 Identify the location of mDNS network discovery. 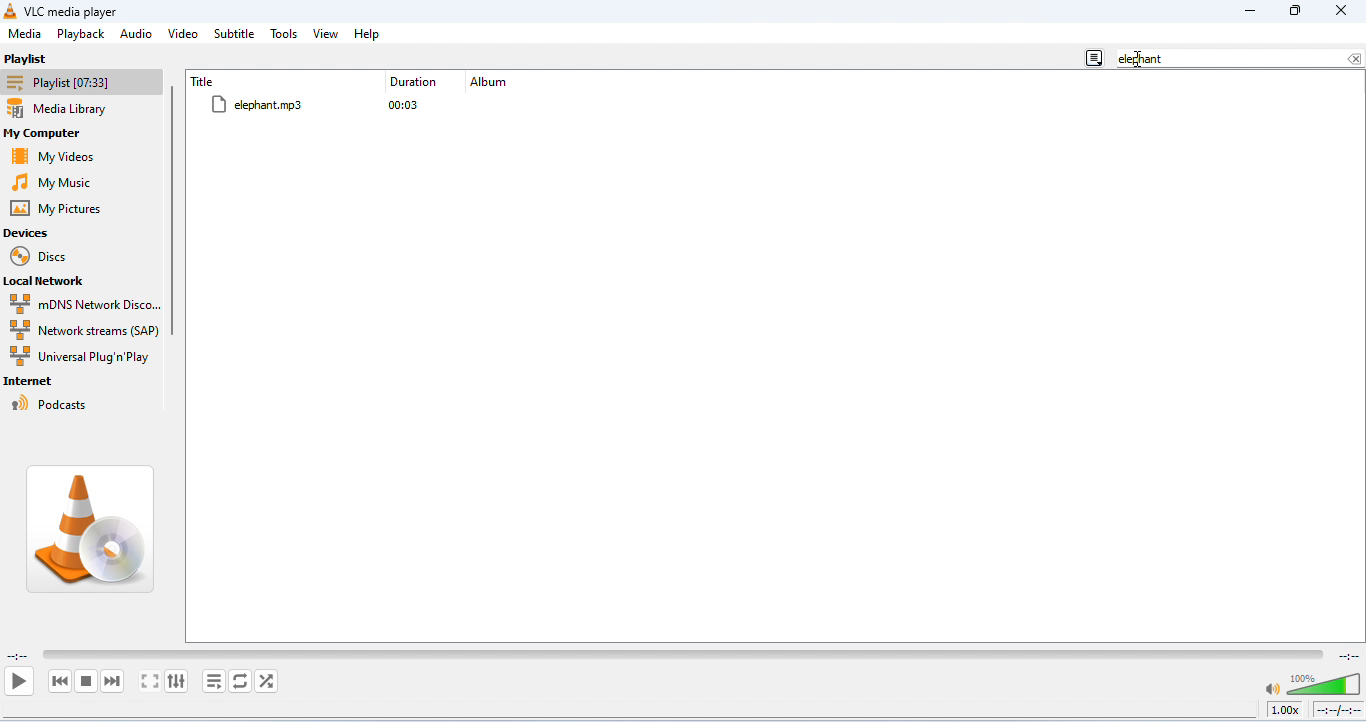
(85, 304).